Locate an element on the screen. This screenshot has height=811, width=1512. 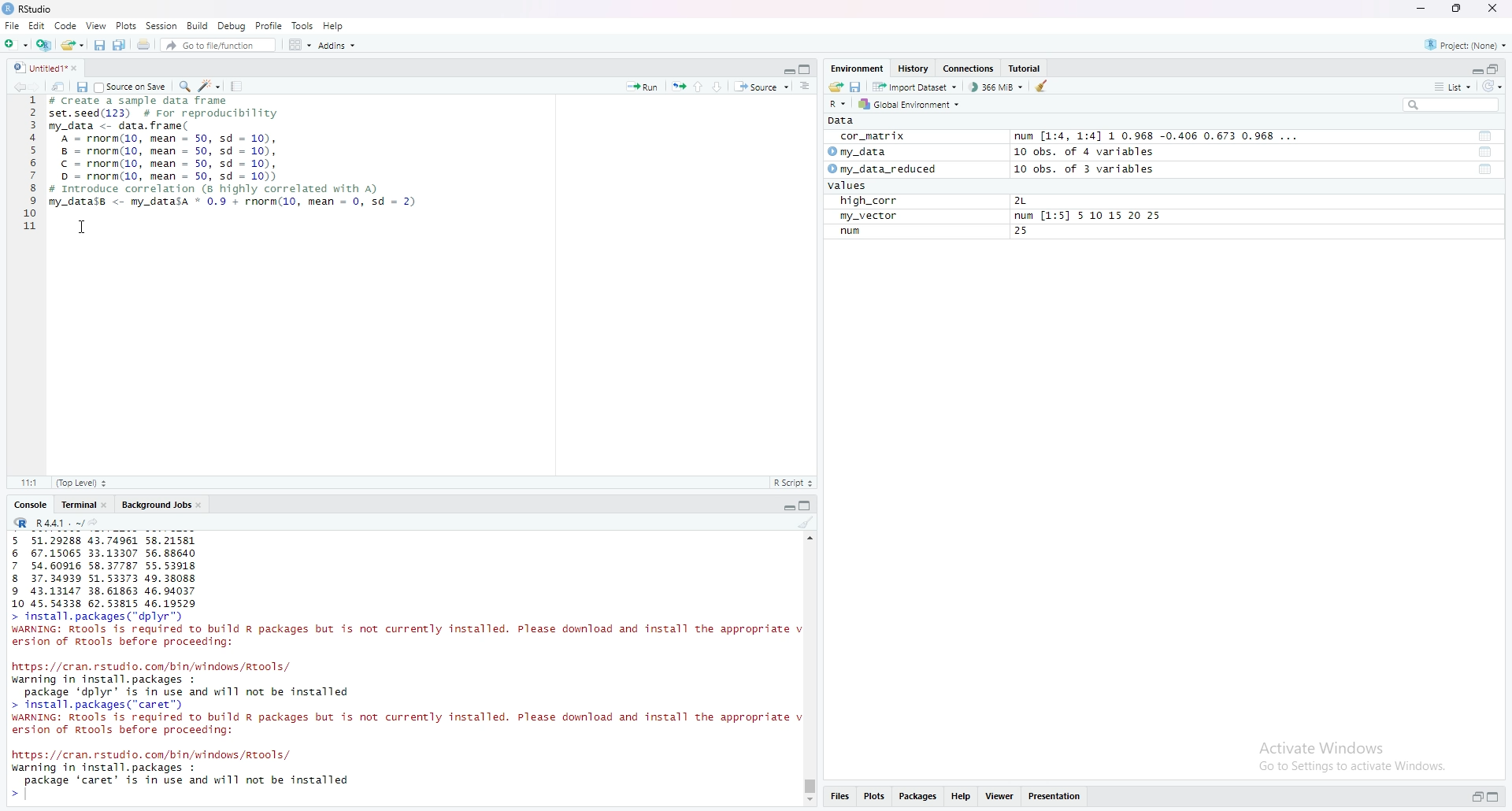
Run is located at coordinates (644, 87).